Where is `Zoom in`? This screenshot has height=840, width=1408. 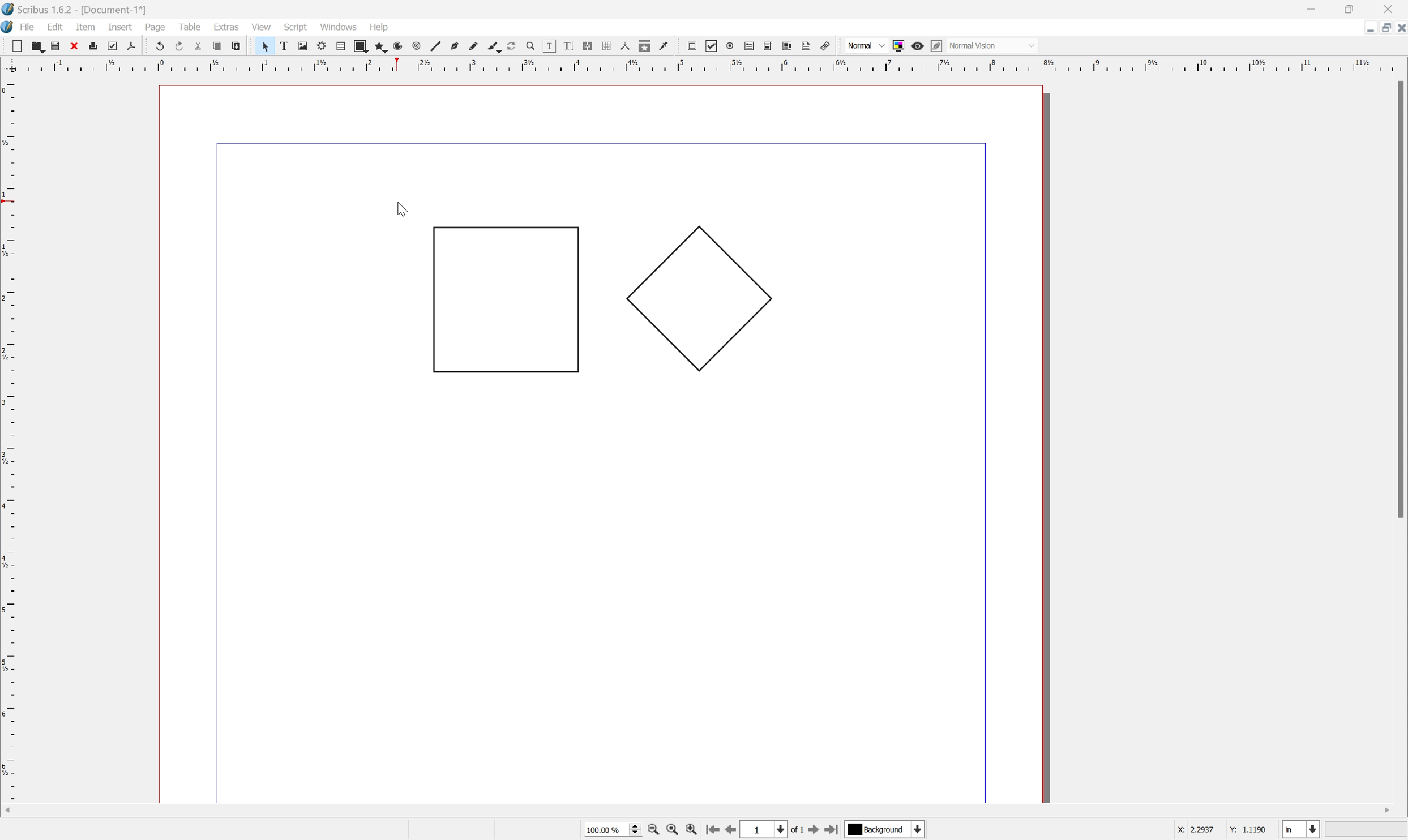 Zoom in is located at coordinates (652, 830).